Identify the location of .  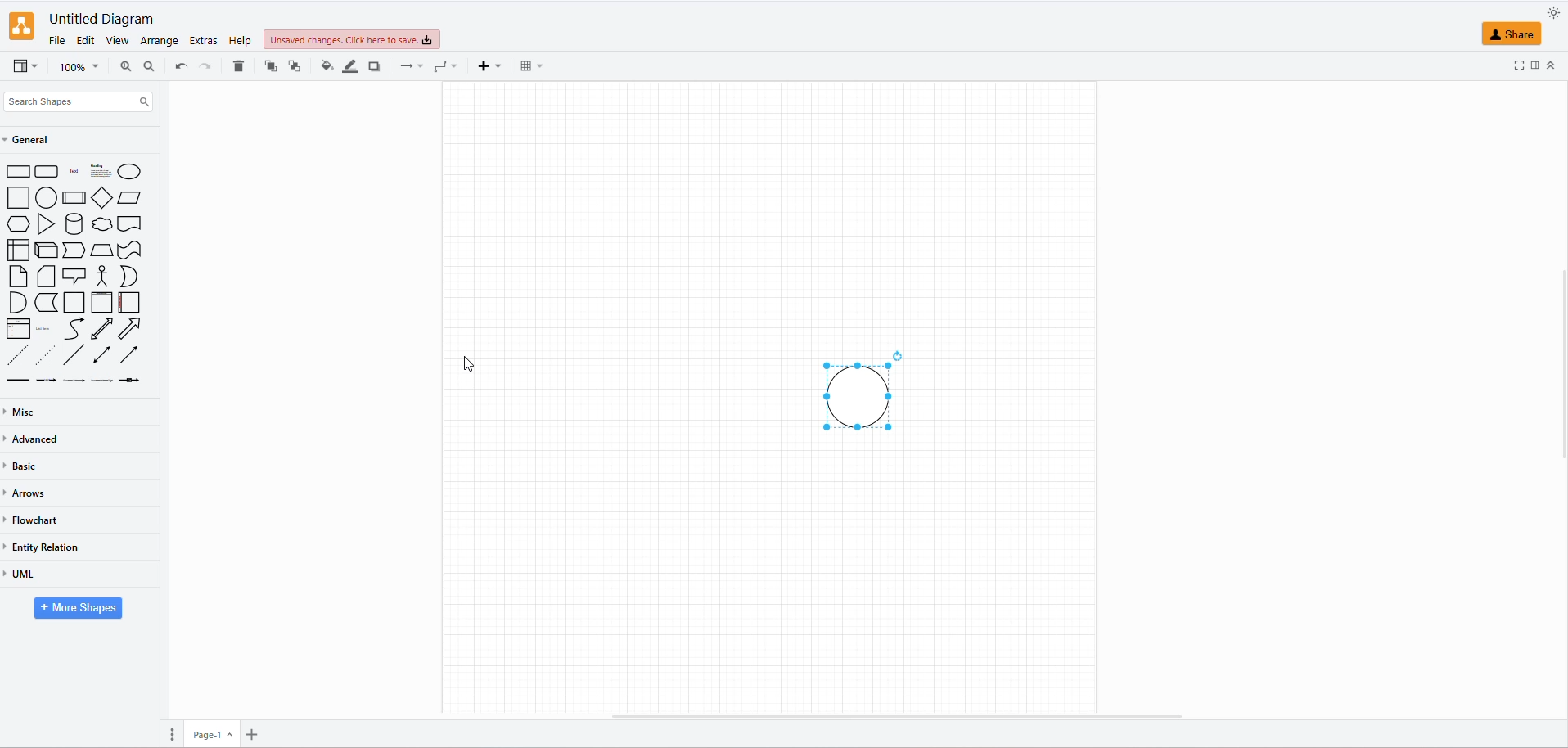
(131, 329).